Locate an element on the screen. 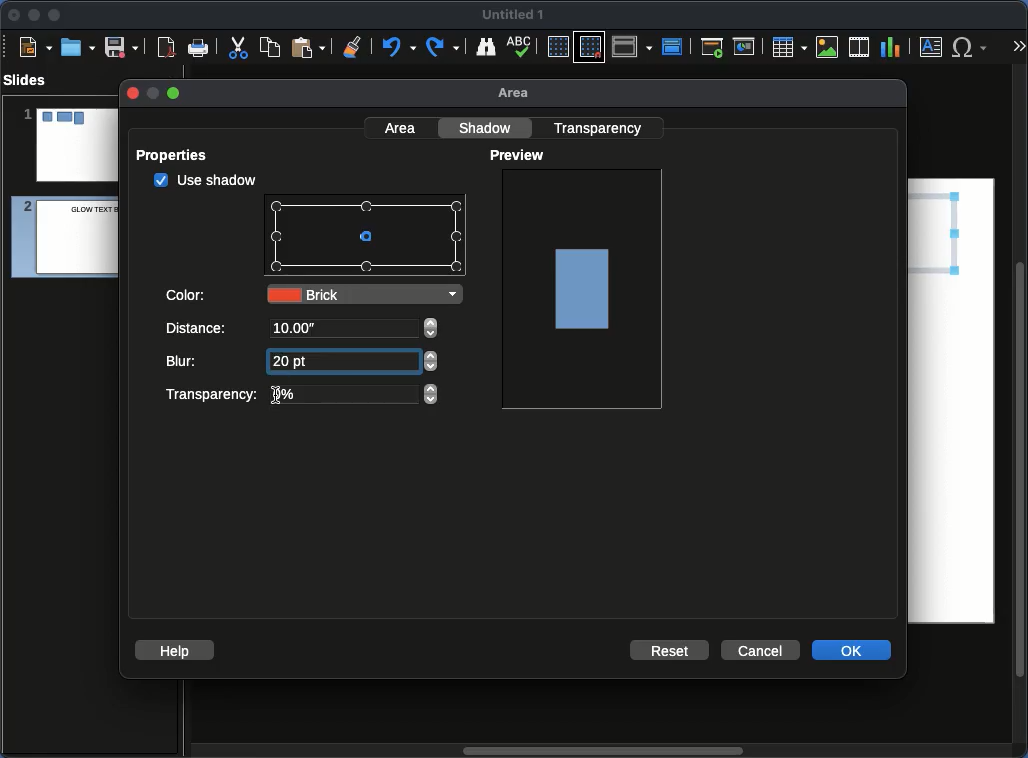  maximize is located at coordinates (175, 94).